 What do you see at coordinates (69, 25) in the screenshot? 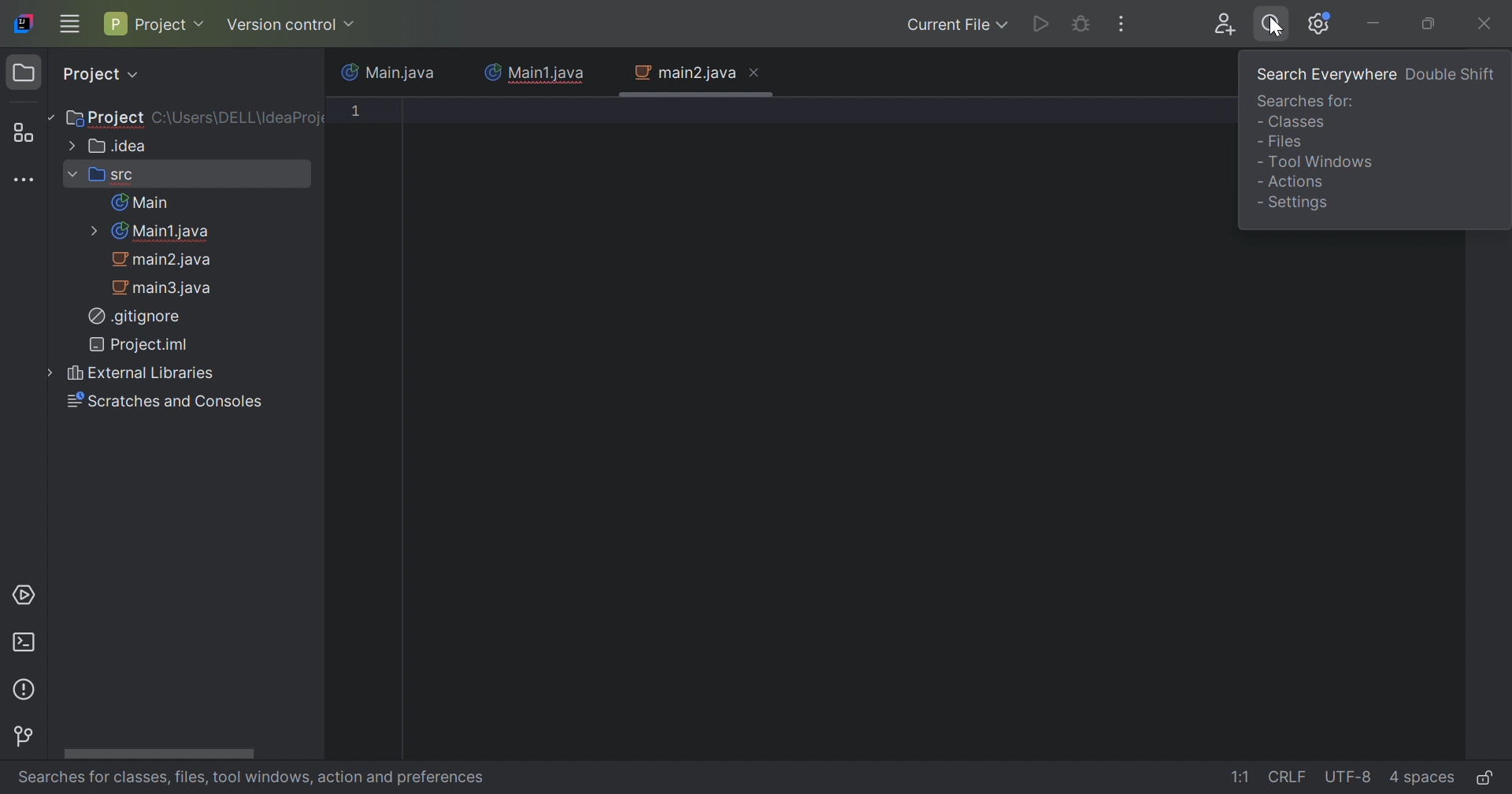
I see `Main menu` at bounding box center [69, 25].